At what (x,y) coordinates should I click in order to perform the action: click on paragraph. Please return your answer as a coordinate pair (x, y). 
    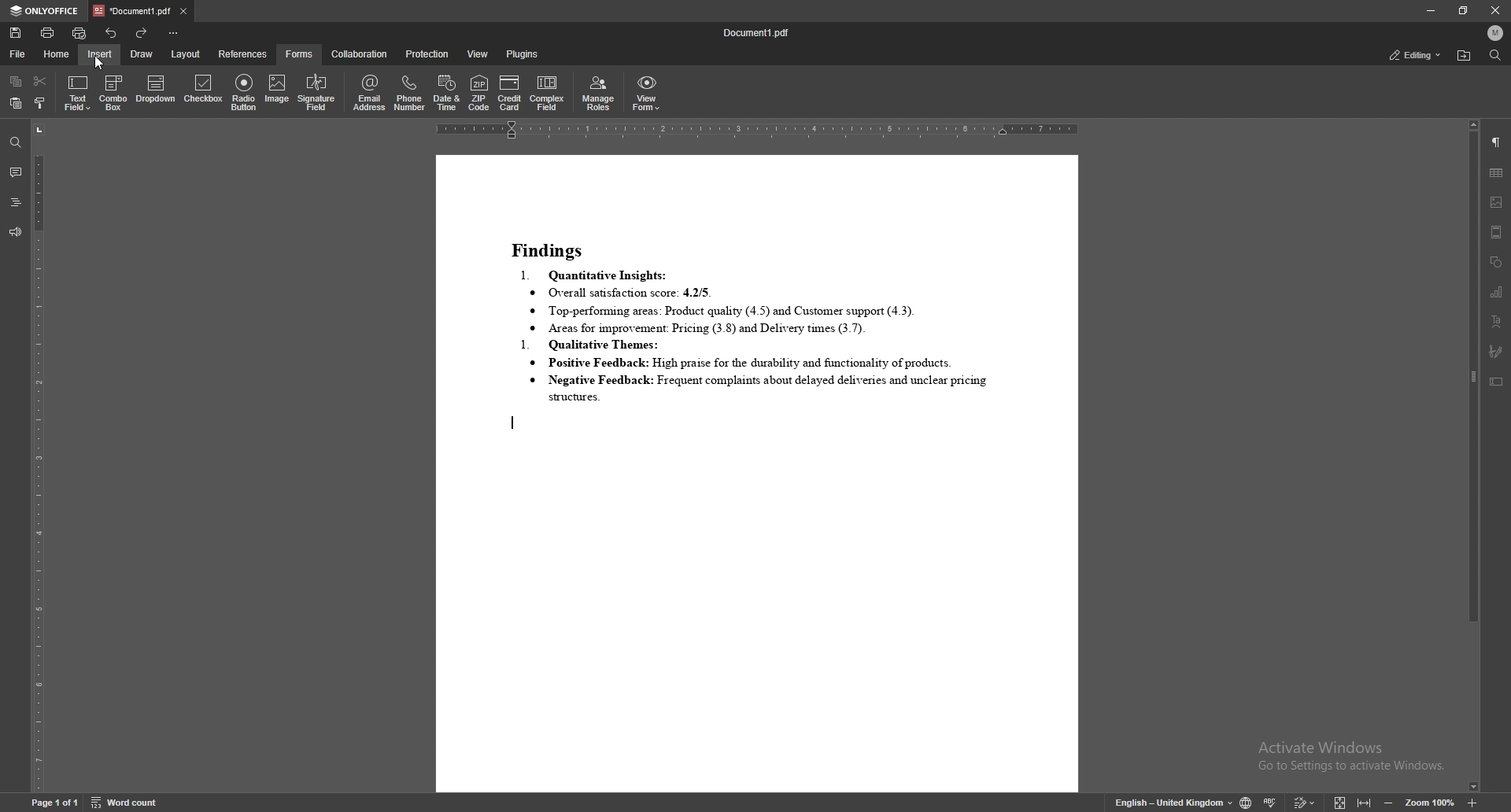
    Looking at the image, I should click on (1497, 142).